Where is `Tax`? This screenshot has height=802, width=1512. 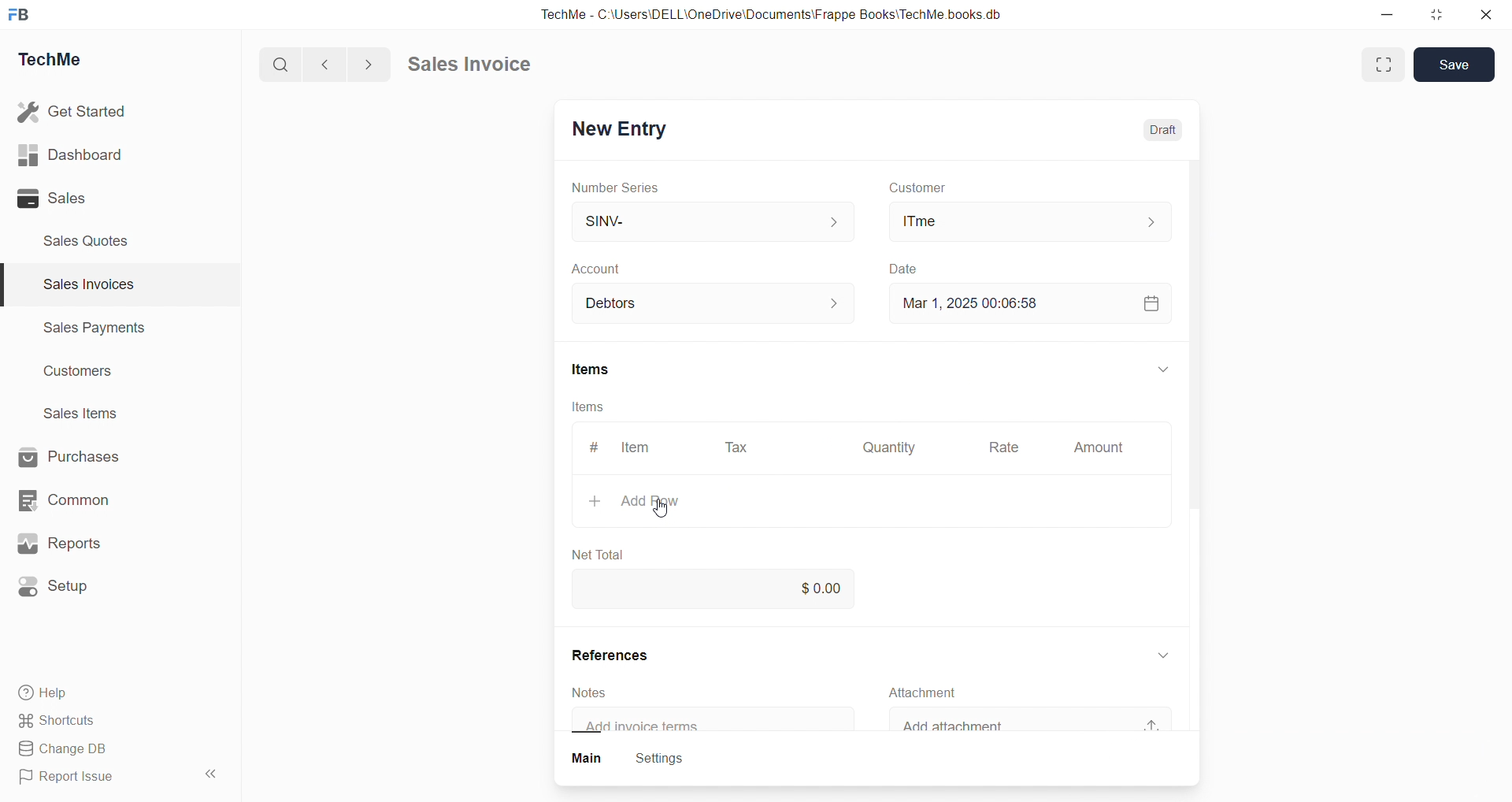
Tax is located at coordinates (739, 448).